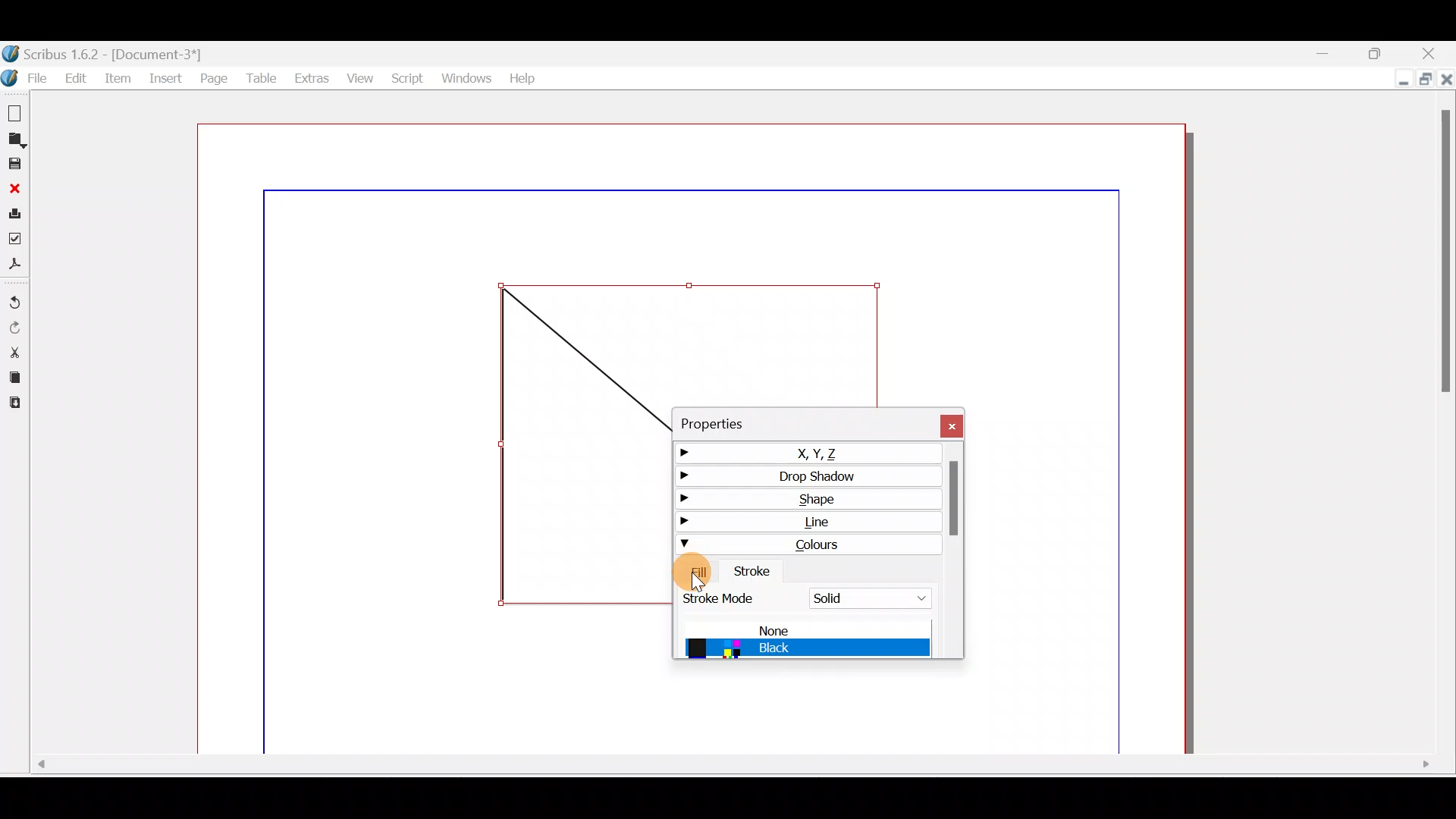 This screenshot has width=1456, height=819. I want to click on None, so click(807, 629).